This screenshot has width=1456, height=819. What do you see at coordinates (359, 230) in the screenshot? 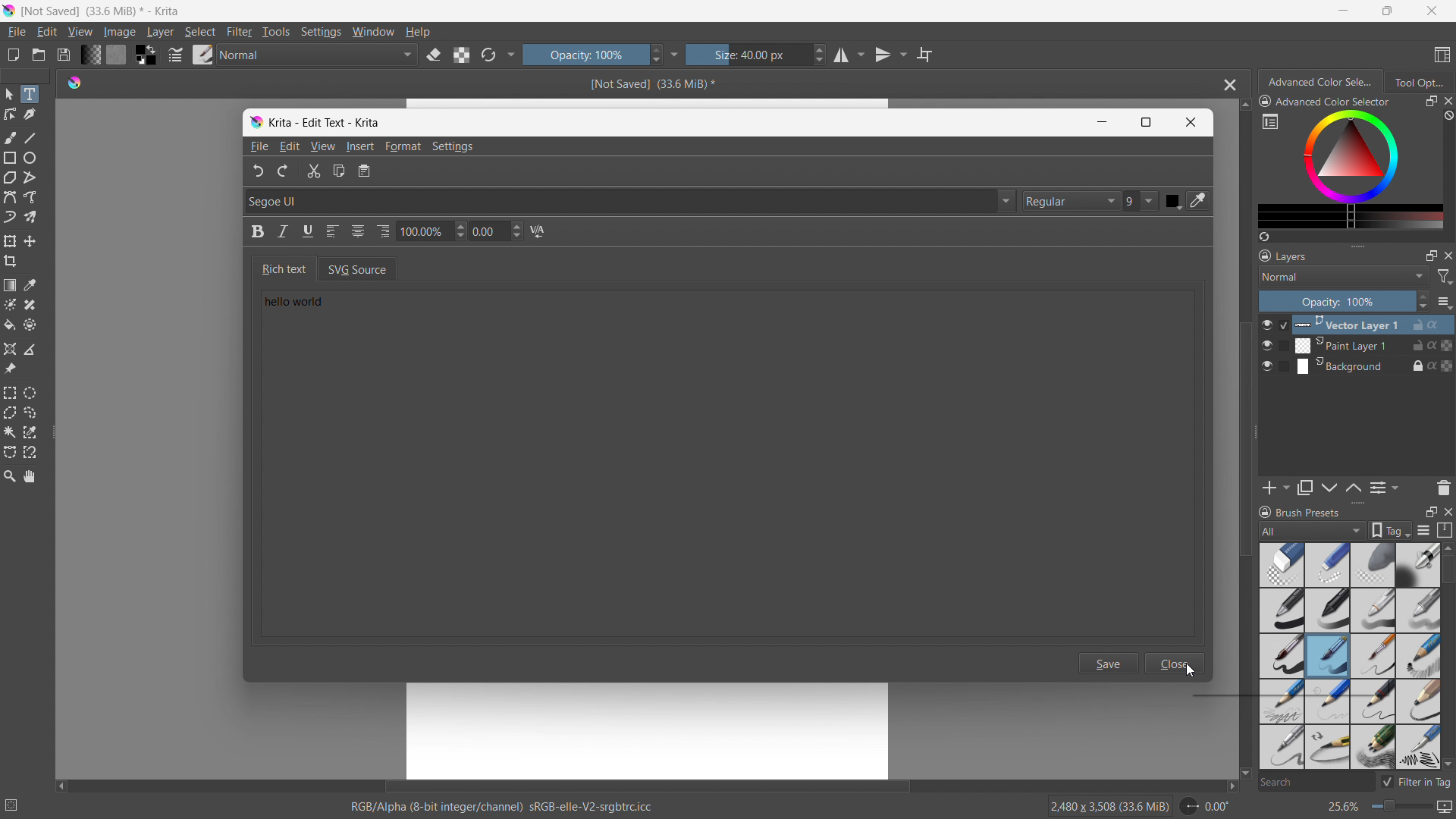
I see `Center align` at bounding box center [359, 230].